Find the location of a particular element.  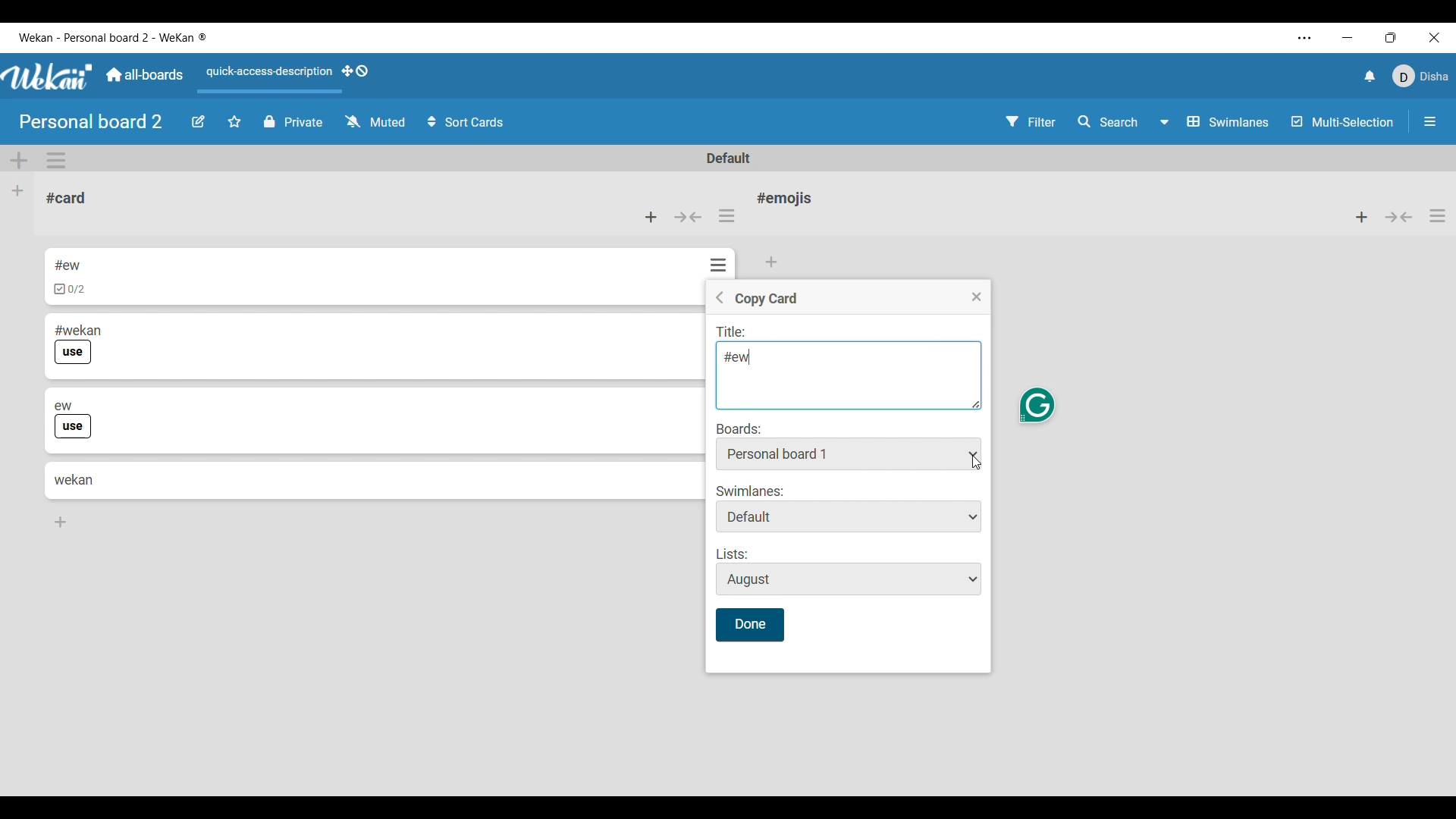

Notifications  is located at coordinates (1370, 76).